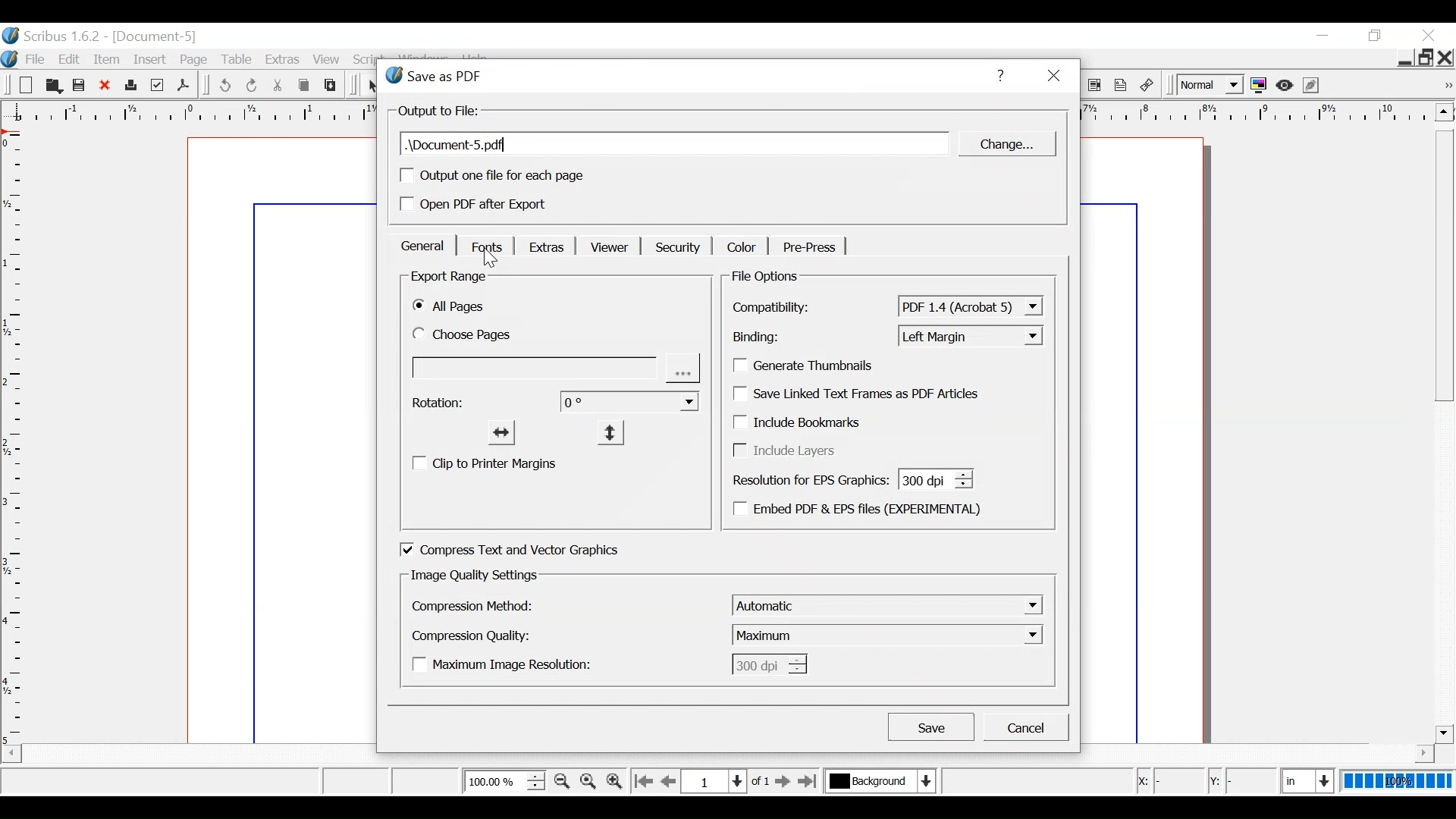 This screenshot has height=819, width=1456. What do you see at coordinates (507, 664) in the screenshot?
I see `(un)check Maximum large resolution` at bounding box center [507, 664].